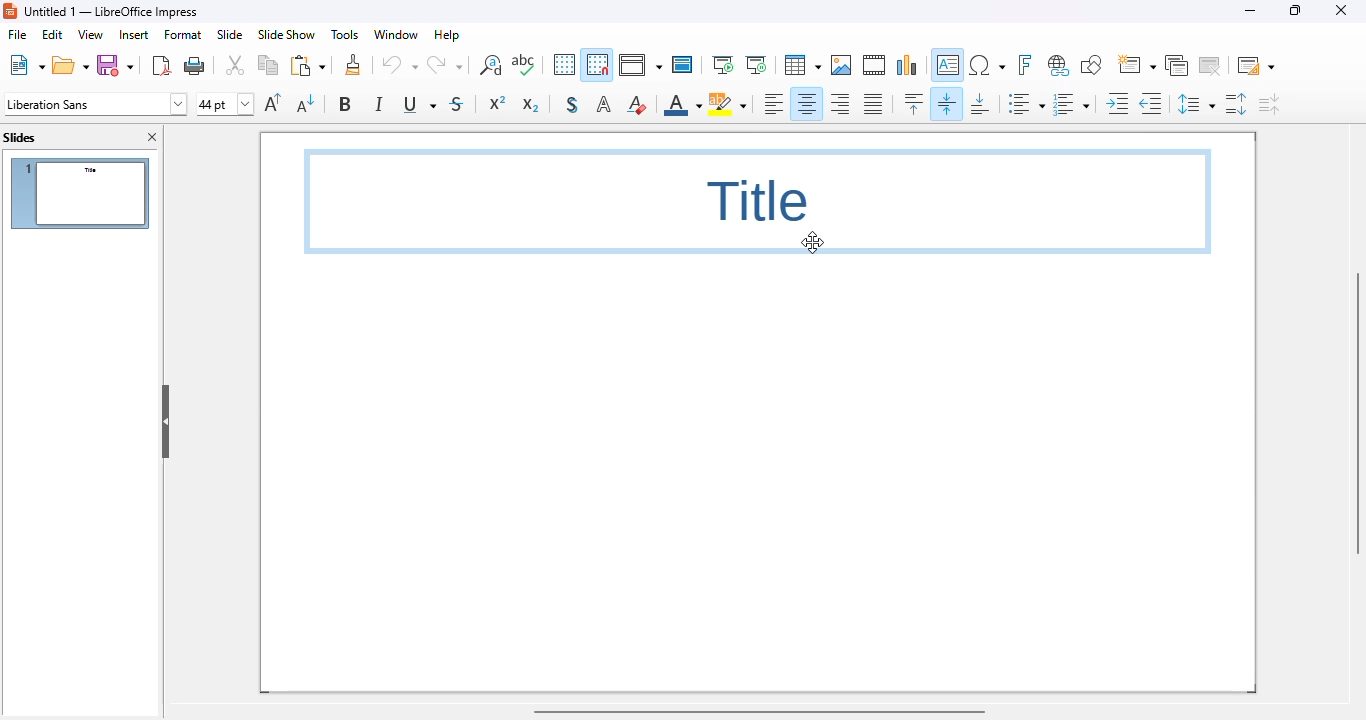  Describe the element at coordinates (979, 104) in the screenshot. I see `align bottom` at that location.